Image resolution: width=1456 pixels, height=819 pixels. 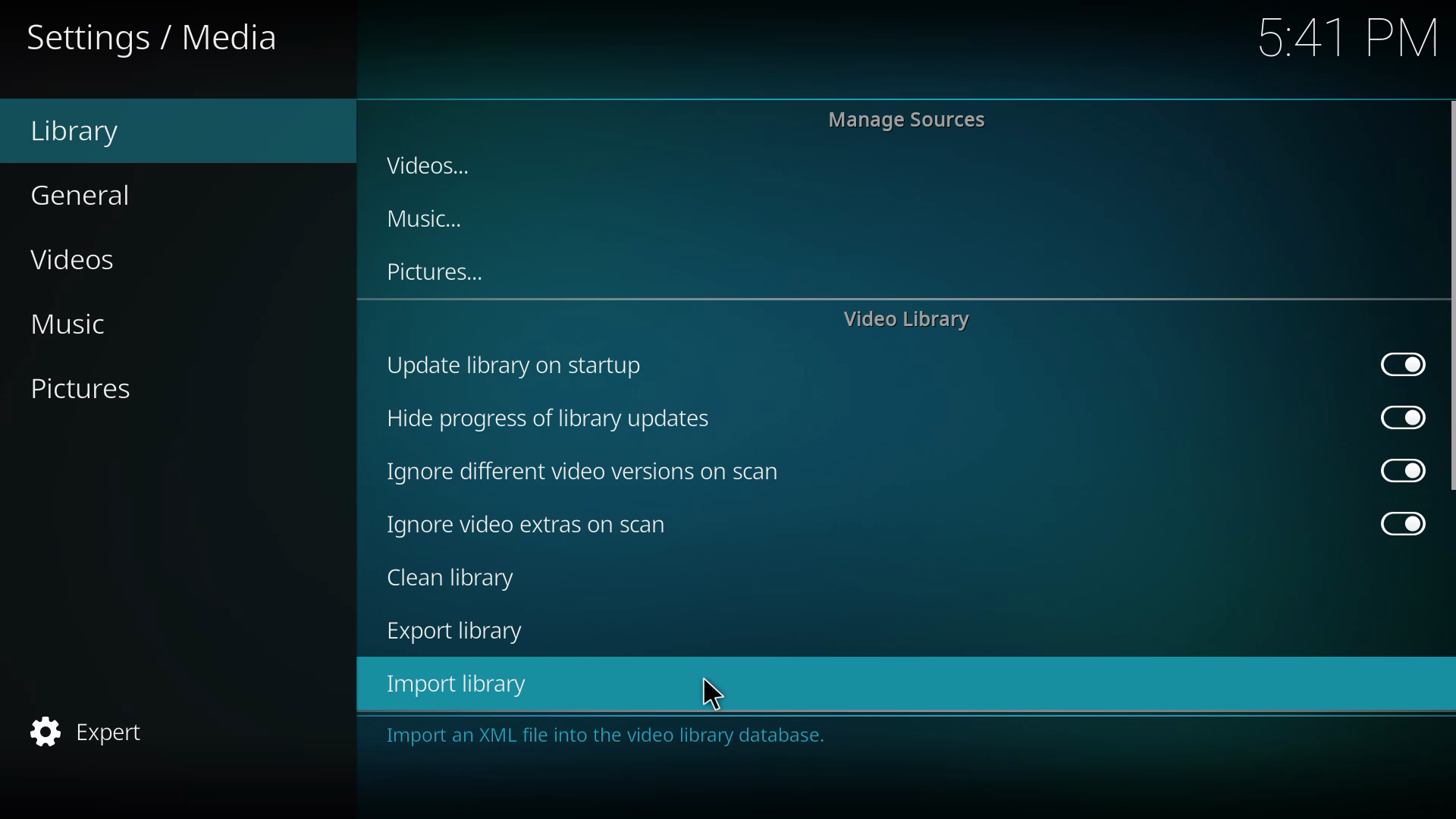 I want to click on music, so click(x=431, y=219).